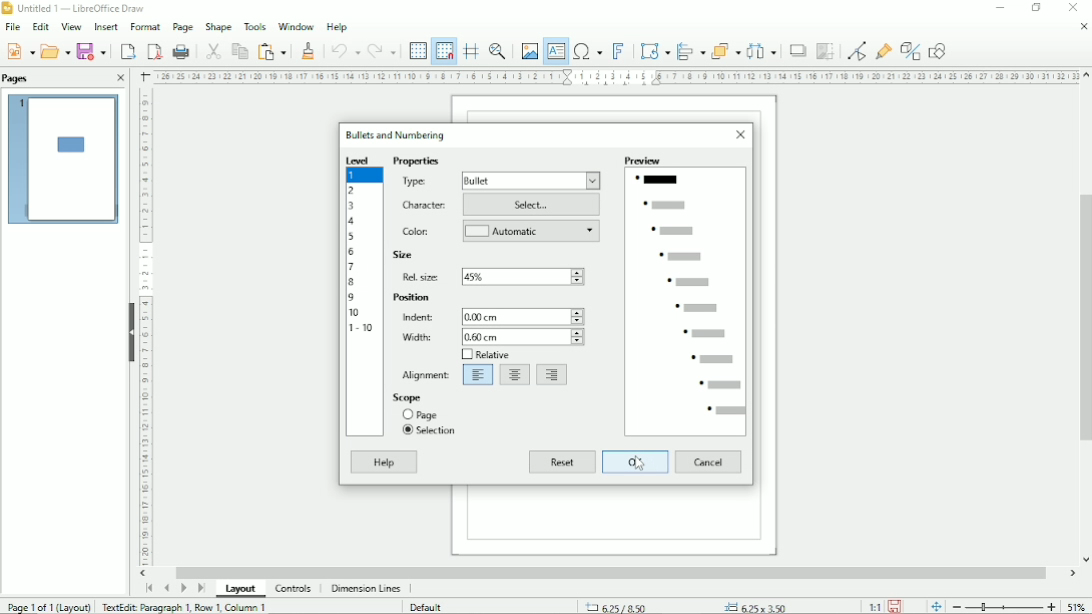 This screenshot has height=614, width=1092. Describe the element at coordinates (484, 355) in the screenshot. I see `Relative` at that location.